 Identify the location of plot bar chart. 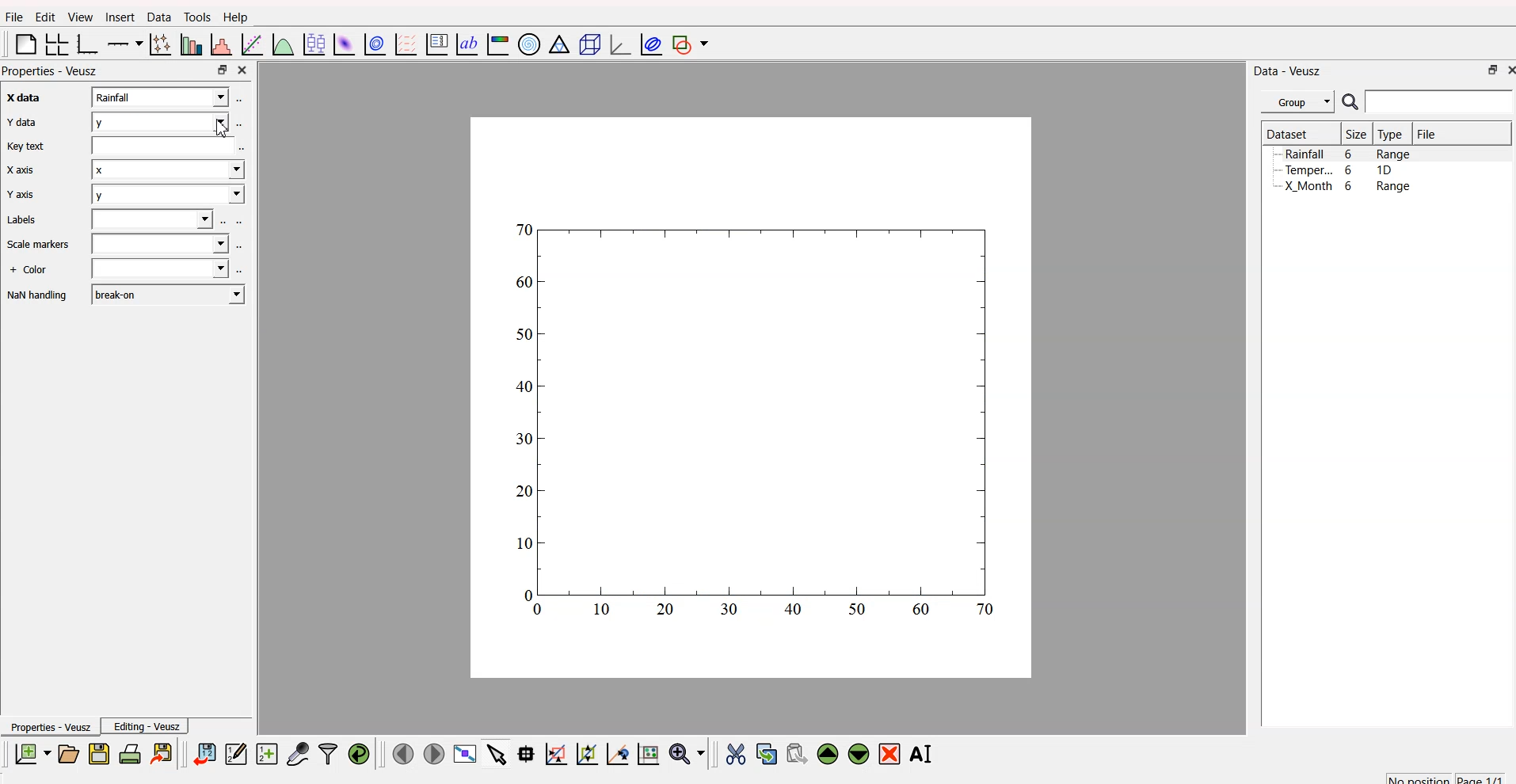
(189, 44).